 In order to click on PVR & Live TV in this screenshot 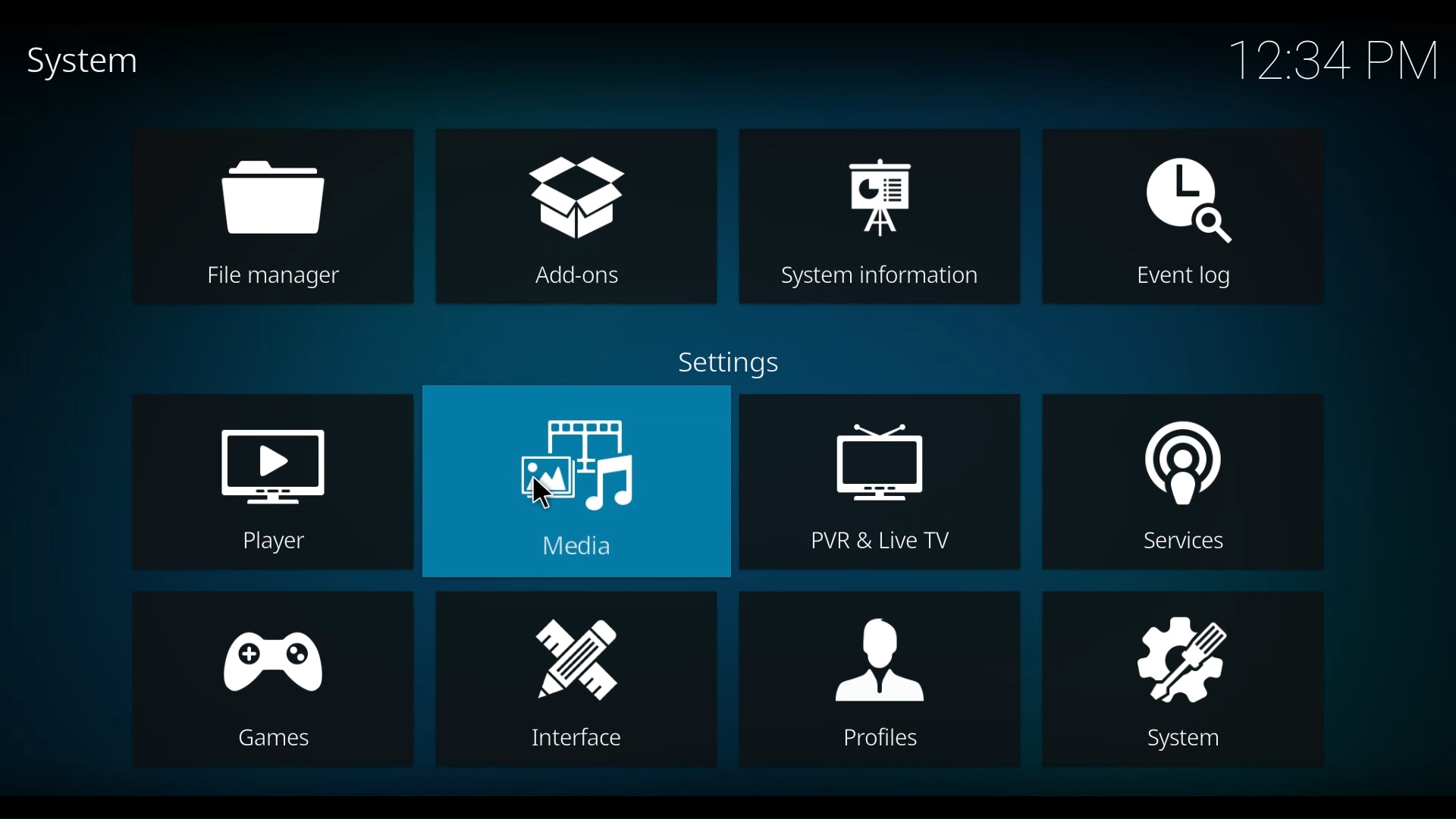, I will do `click(877, 480)`.